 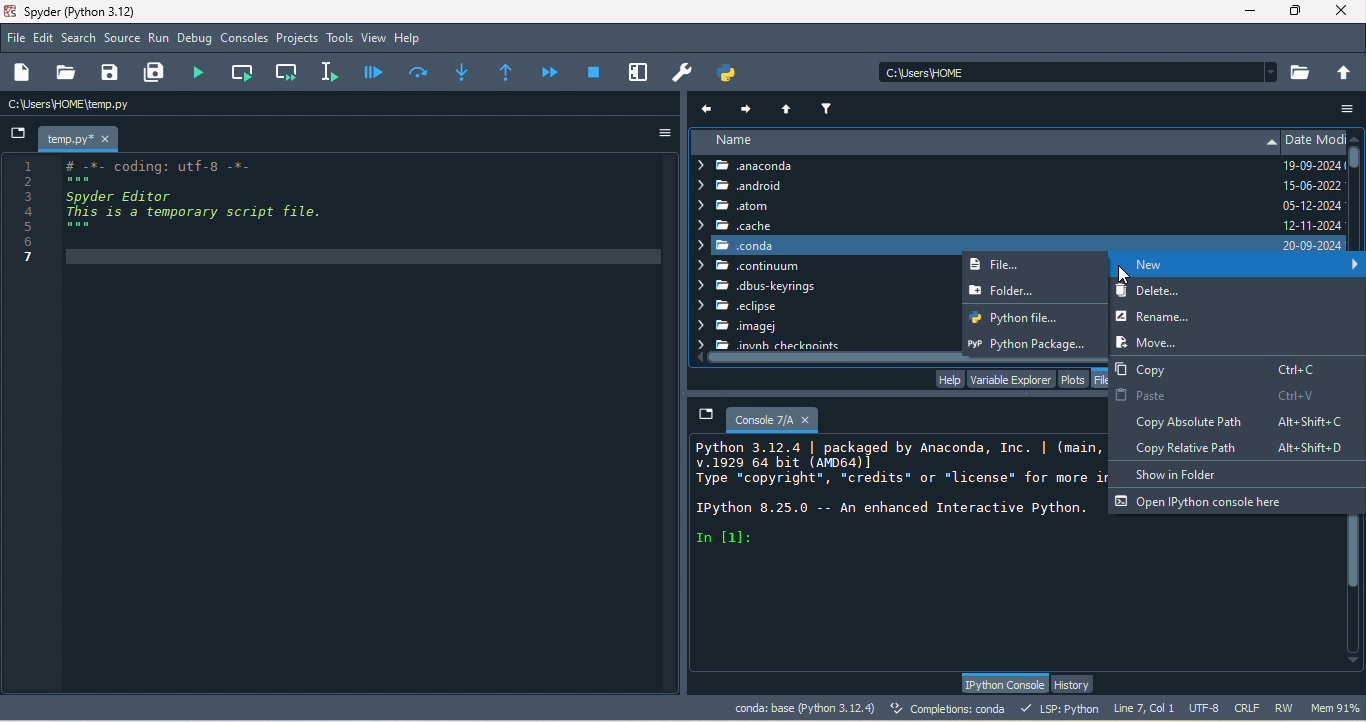 I want to click on continuum, so click(x=752, y=266).